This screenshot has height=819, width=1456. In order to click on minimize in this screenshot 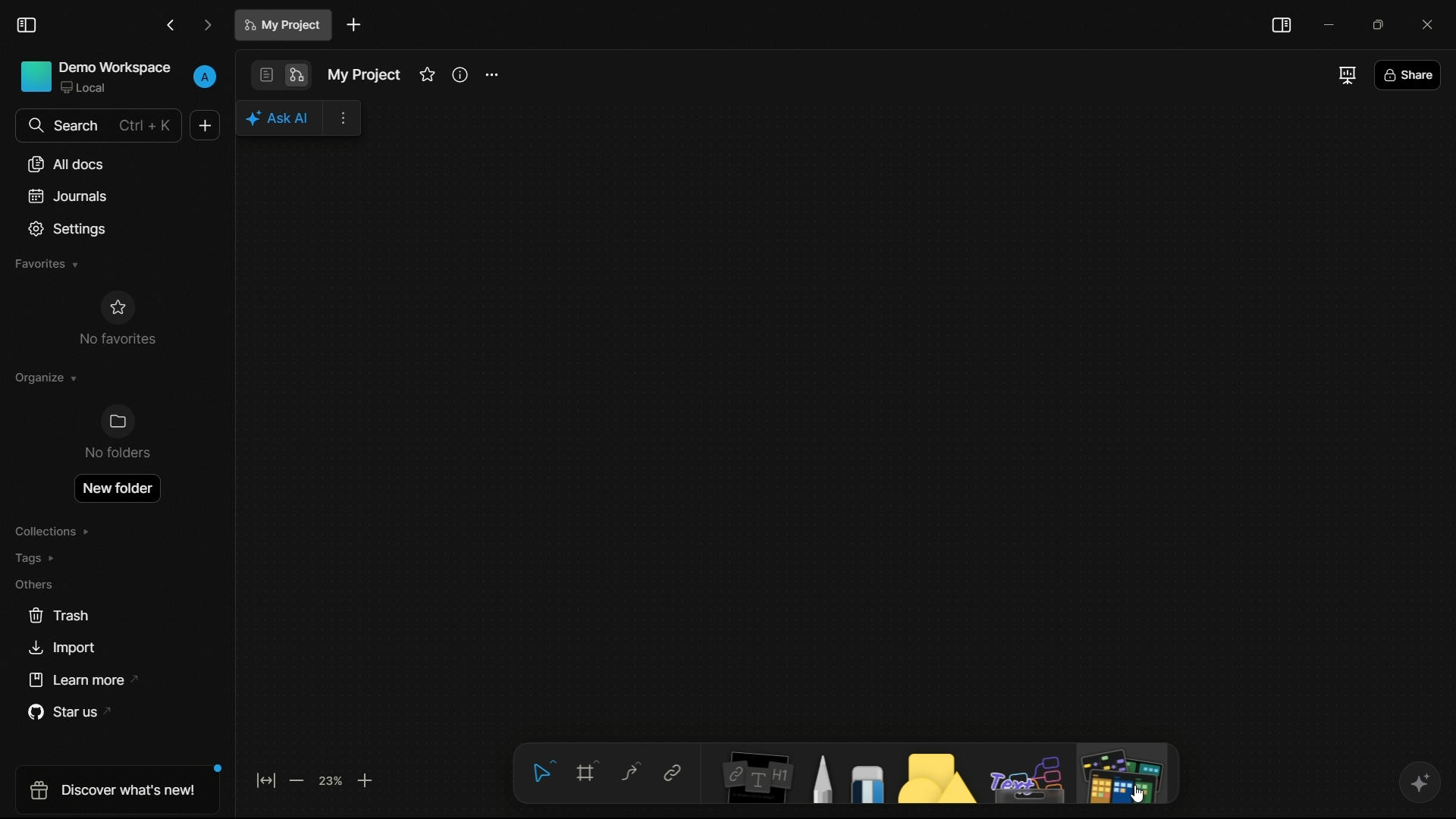, I will do `click(1331, 24)`.